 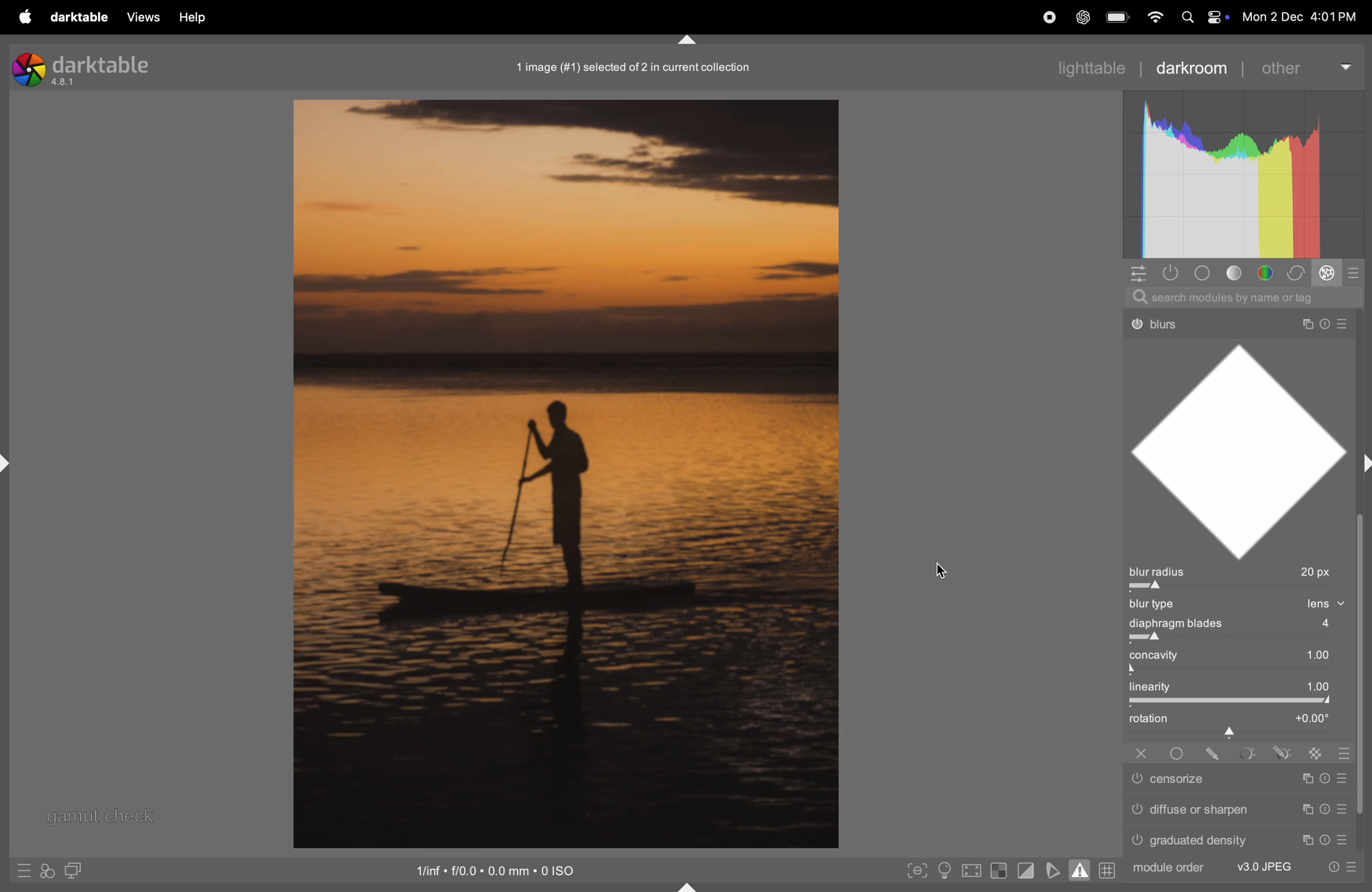 I want to click on , so click(x=1213, y=753).